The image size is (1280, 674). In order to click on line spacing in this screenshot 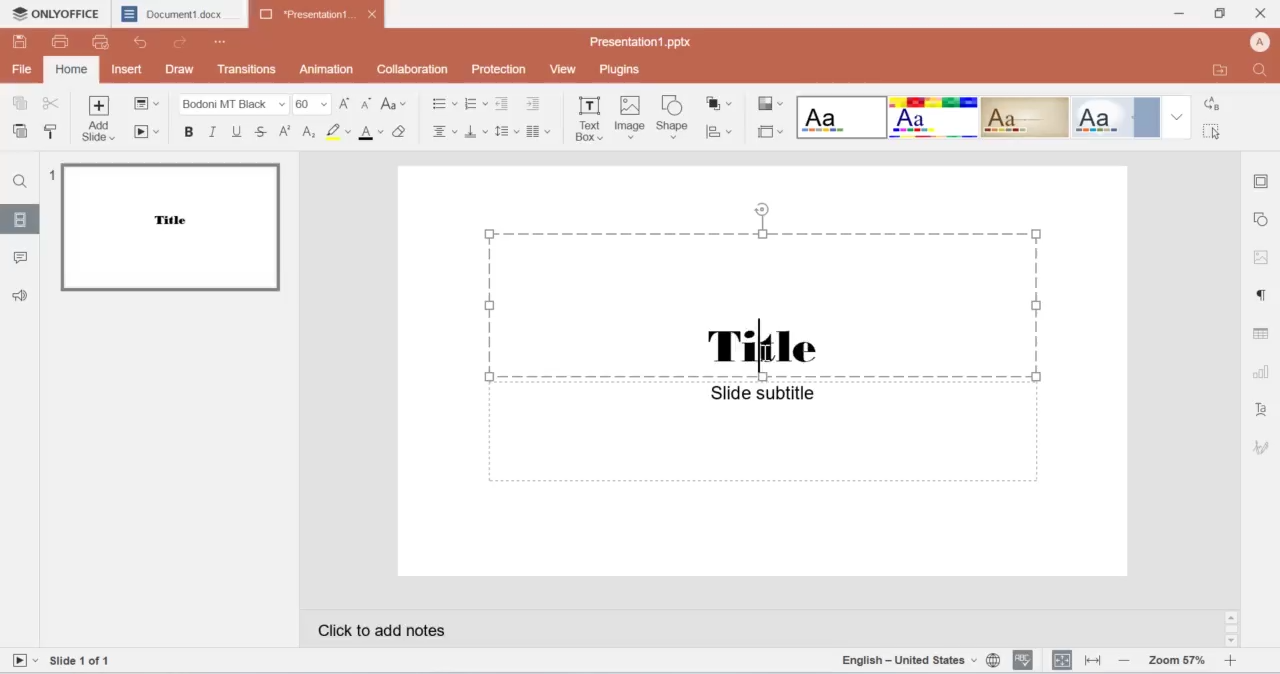, I will do `click(506, 131)`.